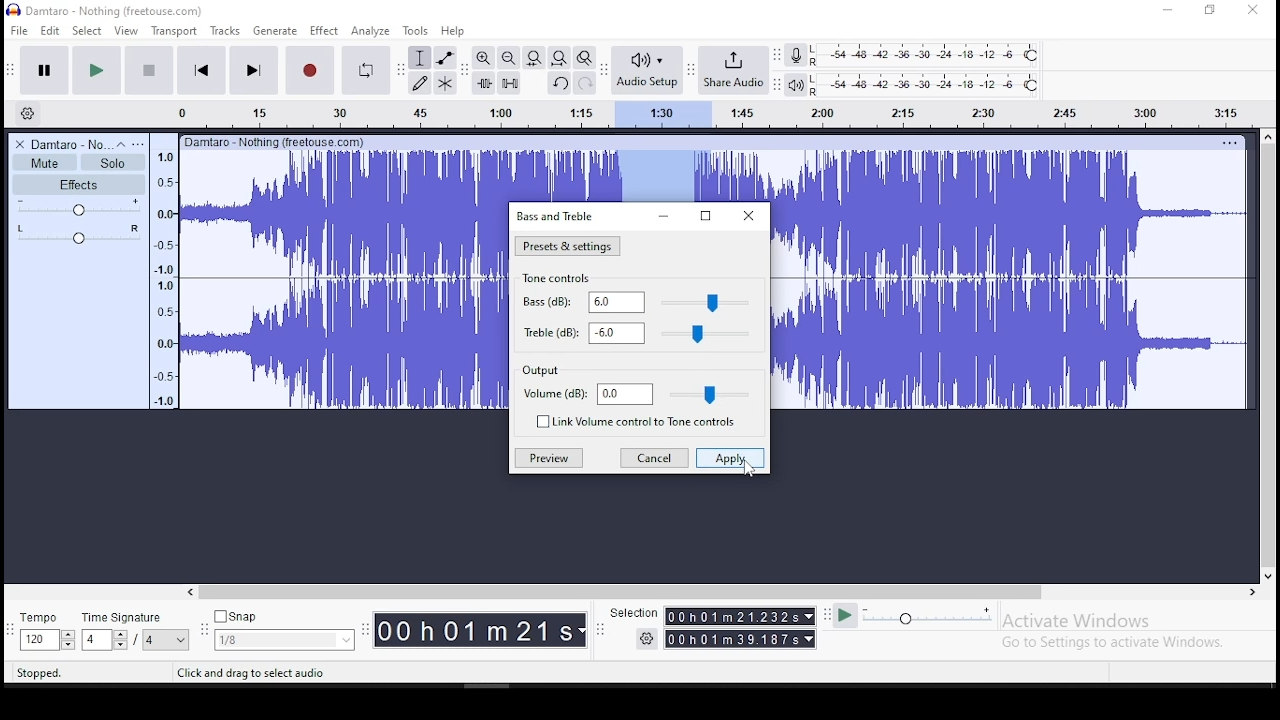 The height and width of the screenshot is (720, 1280). Describe the element at coordinates (135, 617) in the screenshot. I see `time signature` at that location.